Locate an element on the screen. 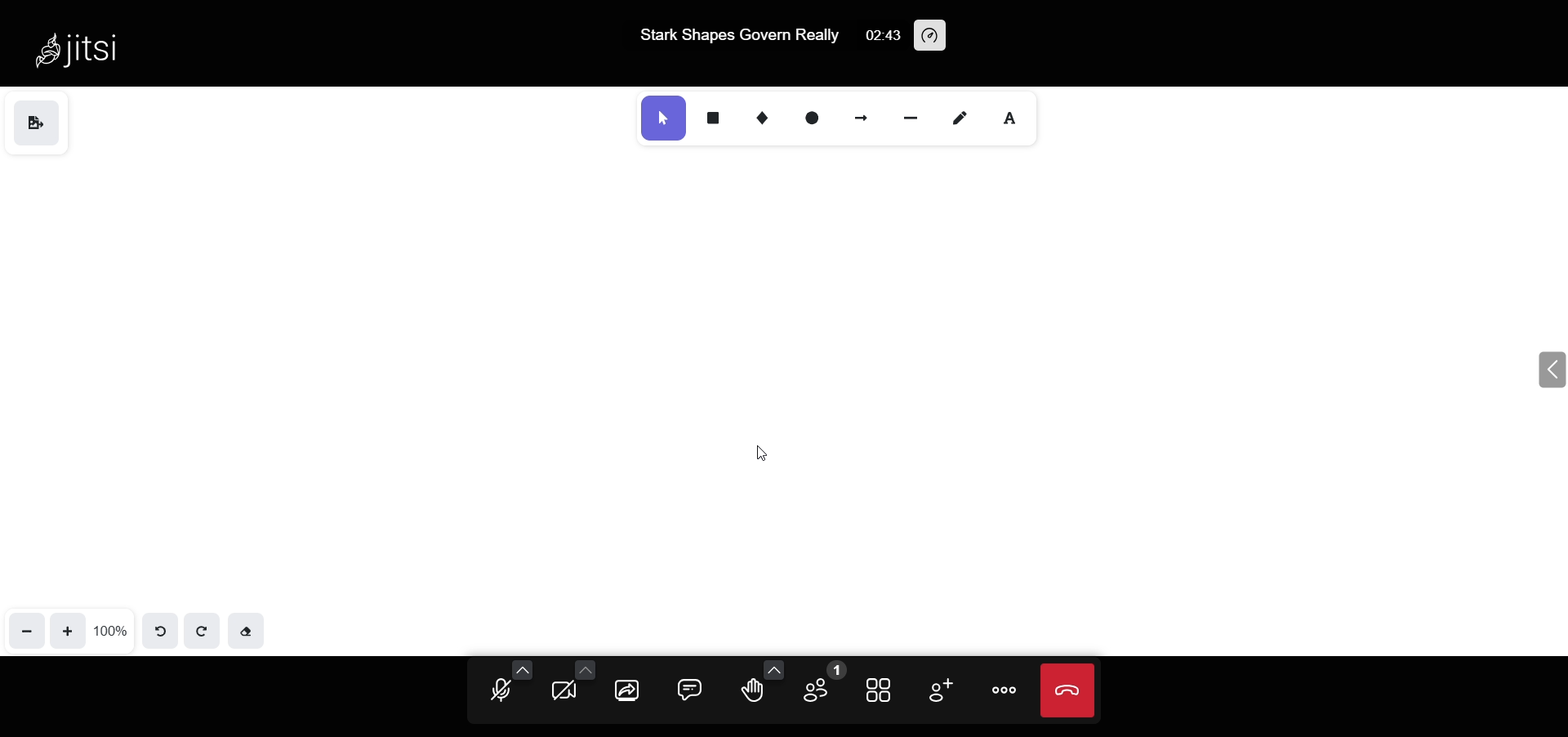  more is located at coordinates (1003, 690).